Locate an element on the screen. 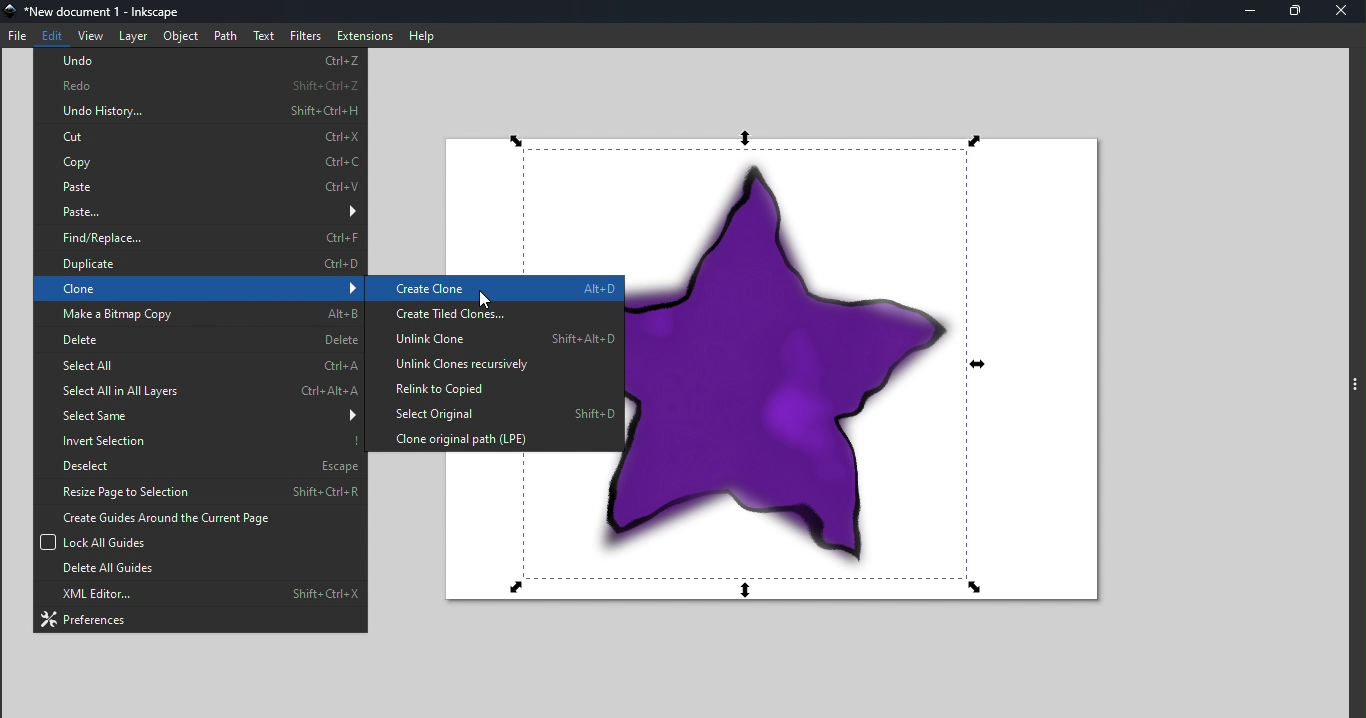 The width and height of the screenshot is (1366, 718). Create guides around the current page is located at coordinates (198, 517).